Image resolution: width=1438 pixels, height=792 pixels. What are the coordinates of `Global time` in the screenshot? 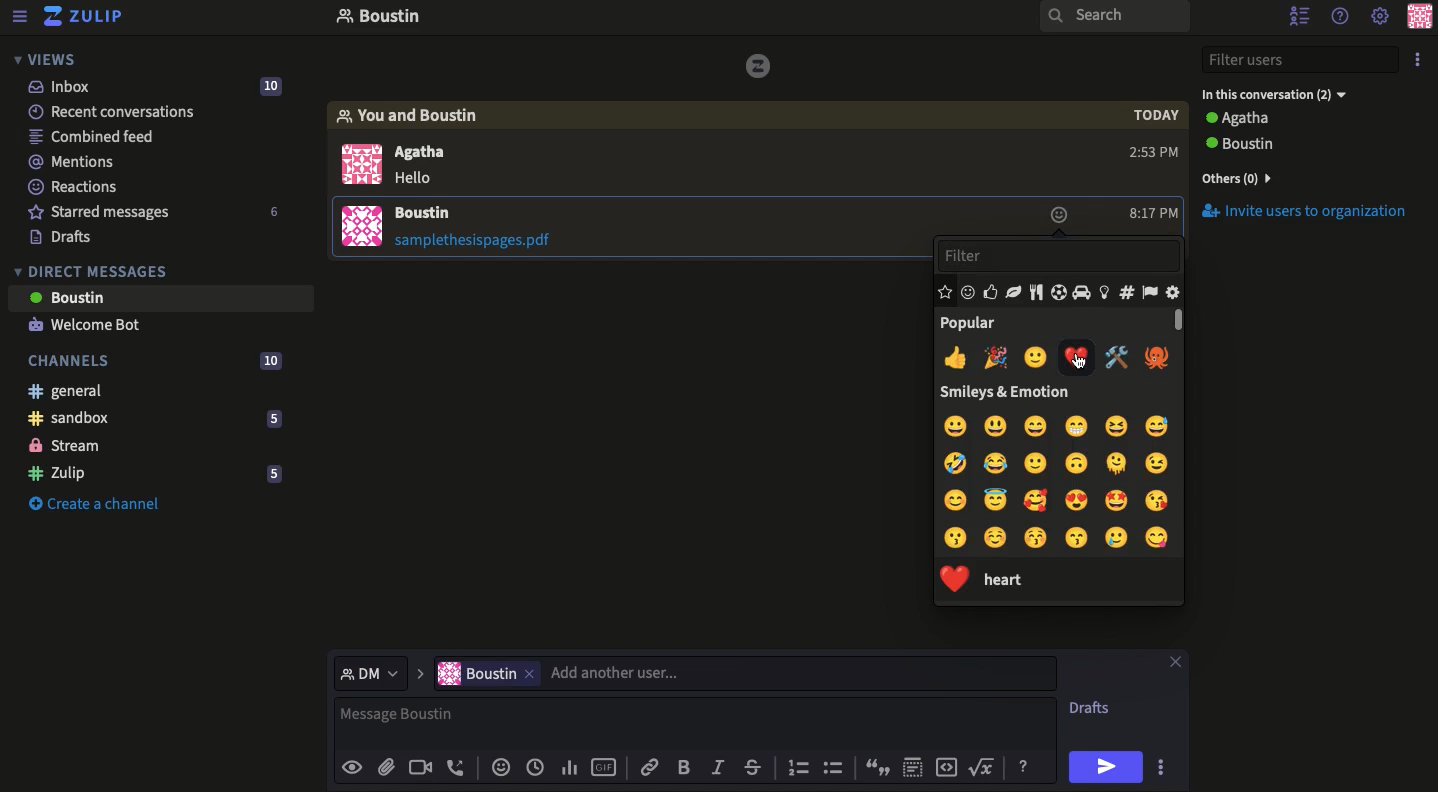 It's located at (535, 766).